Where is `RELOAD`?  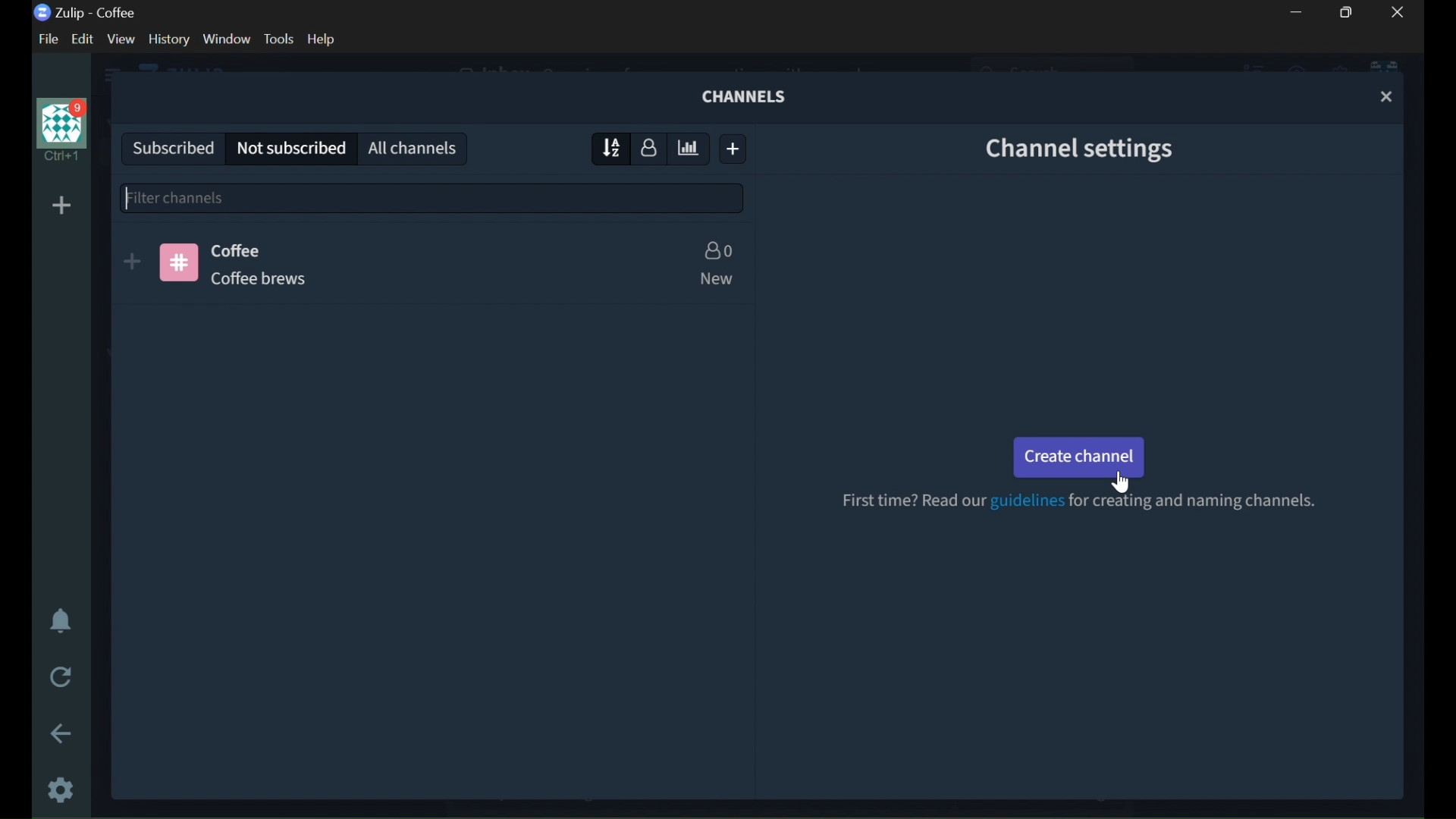
RELOAD is located at coordinates (63, 675).